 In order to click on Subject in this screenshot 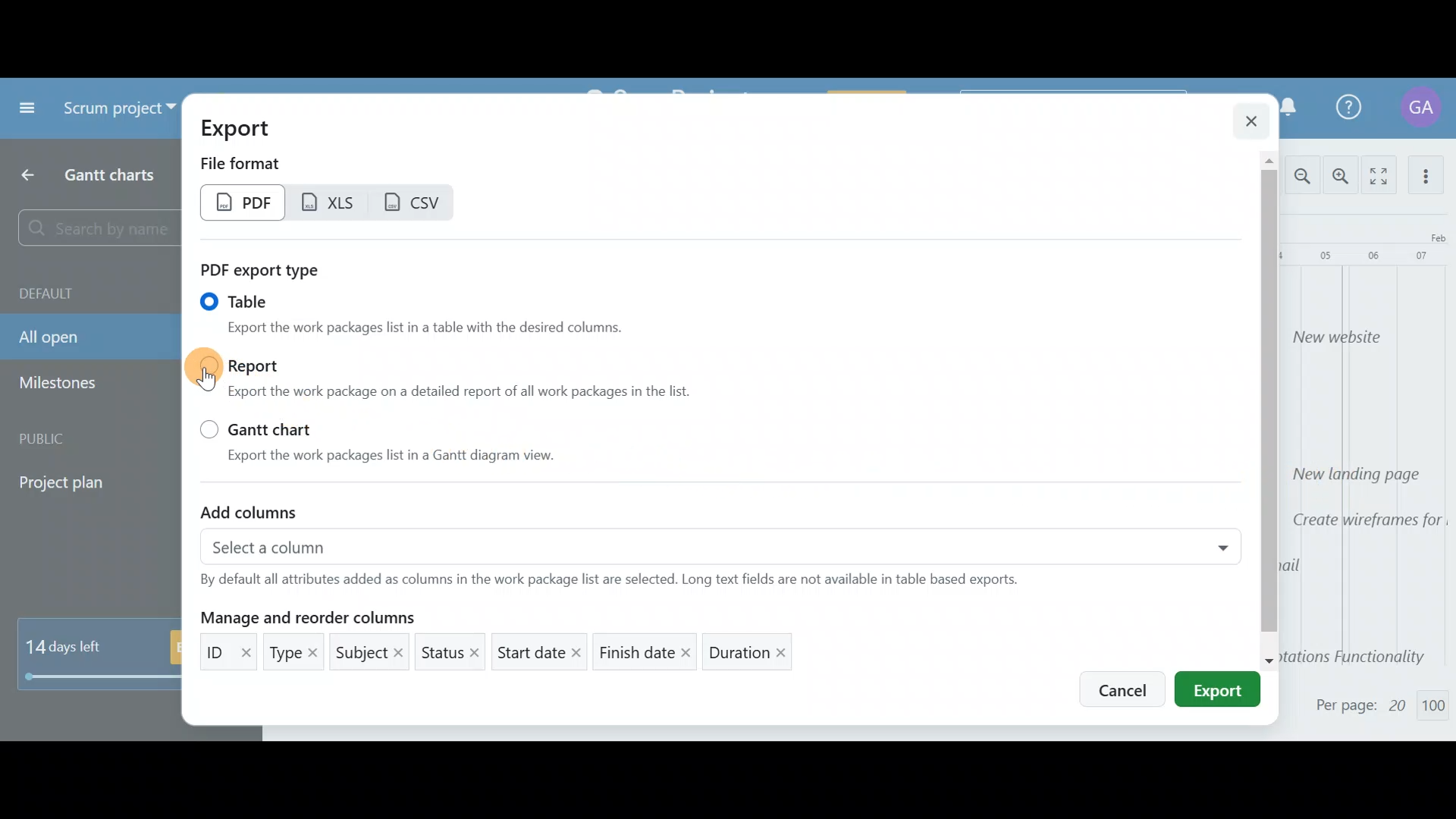, I will do `click(369, 650)`.